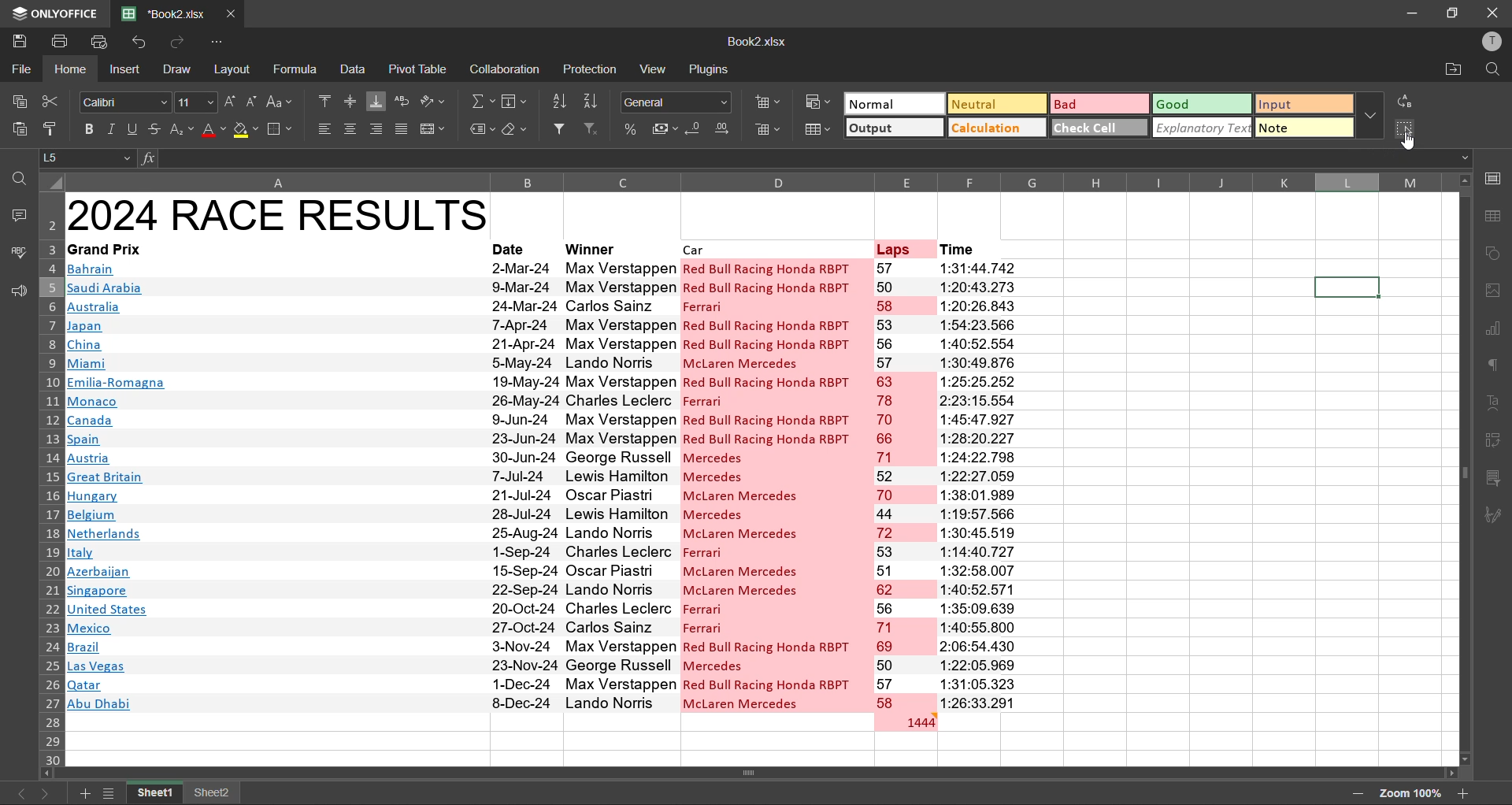  What do you see at coordinates (805, 158) in the screenshot?
I see `formula bar` at bounding box center [805, 158].